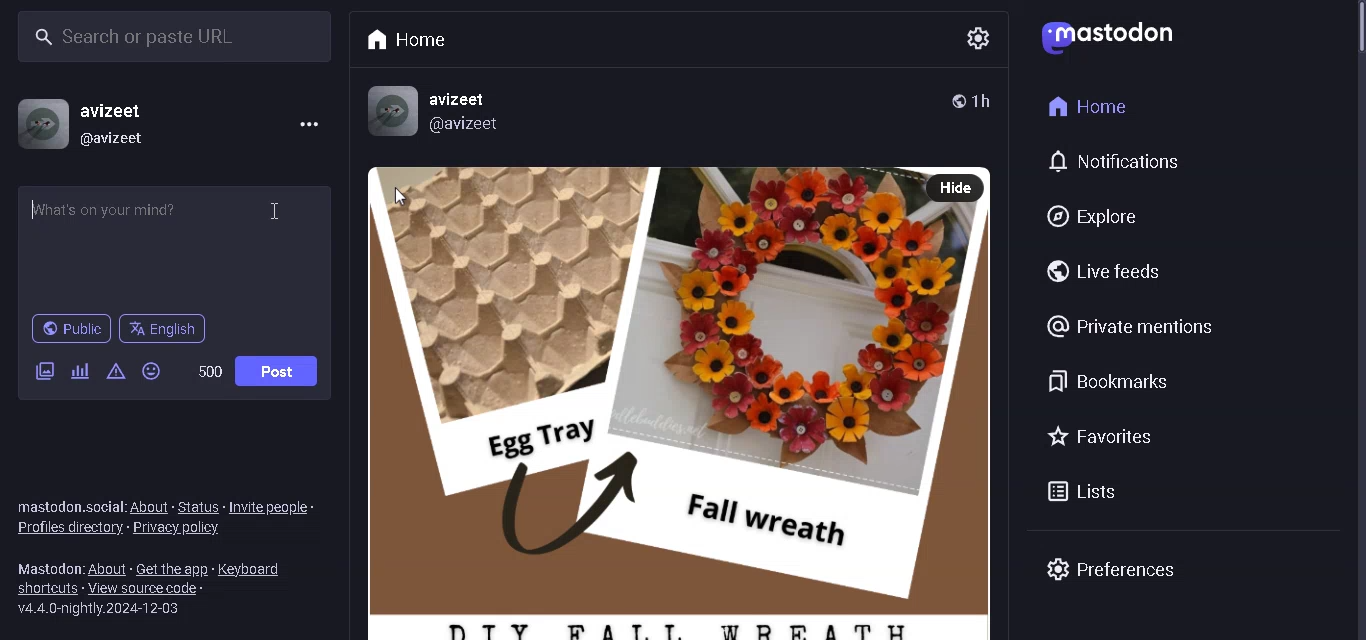 This screenshot has height=640, width=1366. What do you see at coordinates (177, 38) in the screenshot?
I see `SEARCH BAR` at bounding box center [177, 38].